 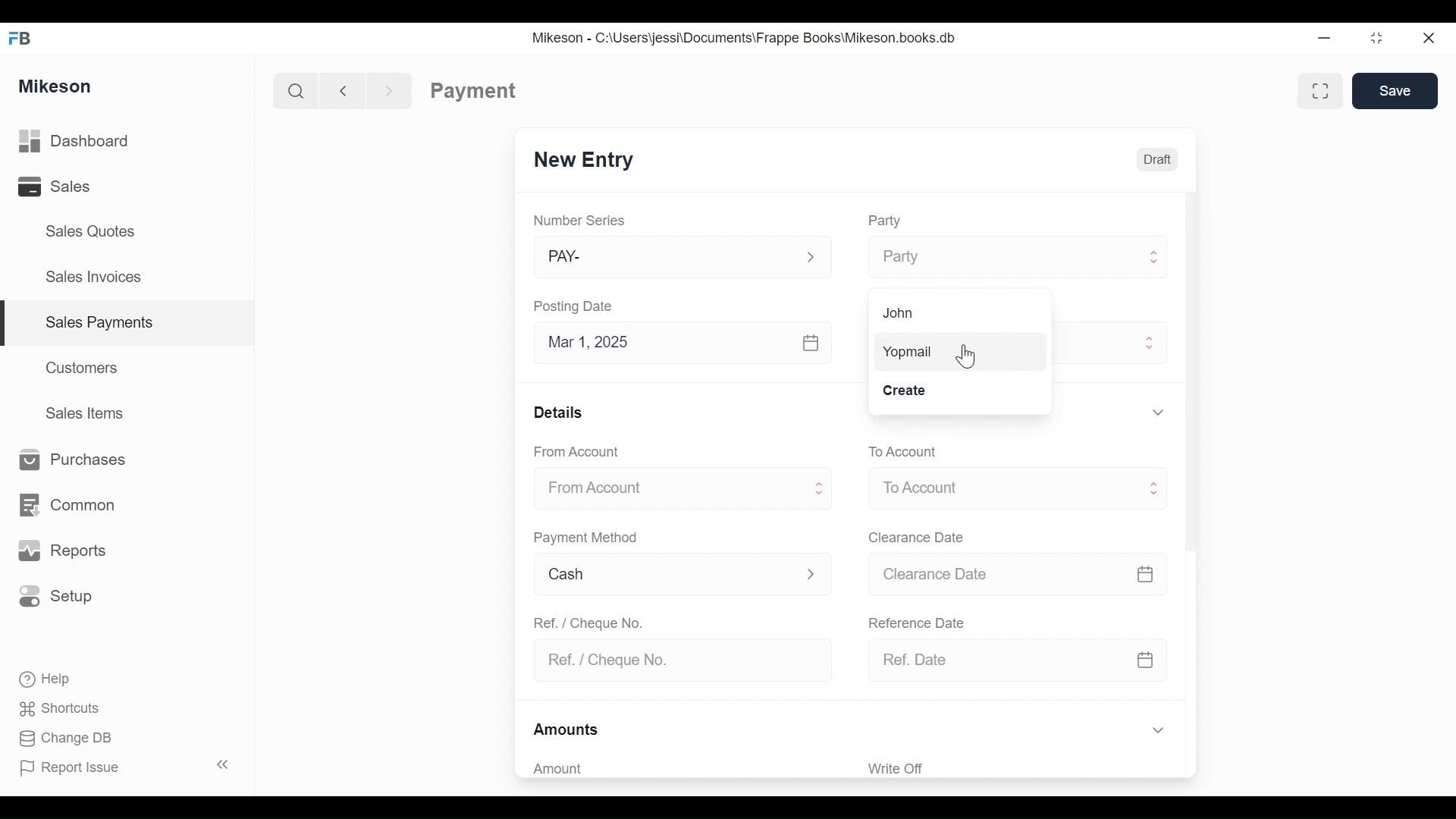 What do you see at coordinates (75, 497) in the screenshot?
I see `Common` at bounding box center [75, 497].